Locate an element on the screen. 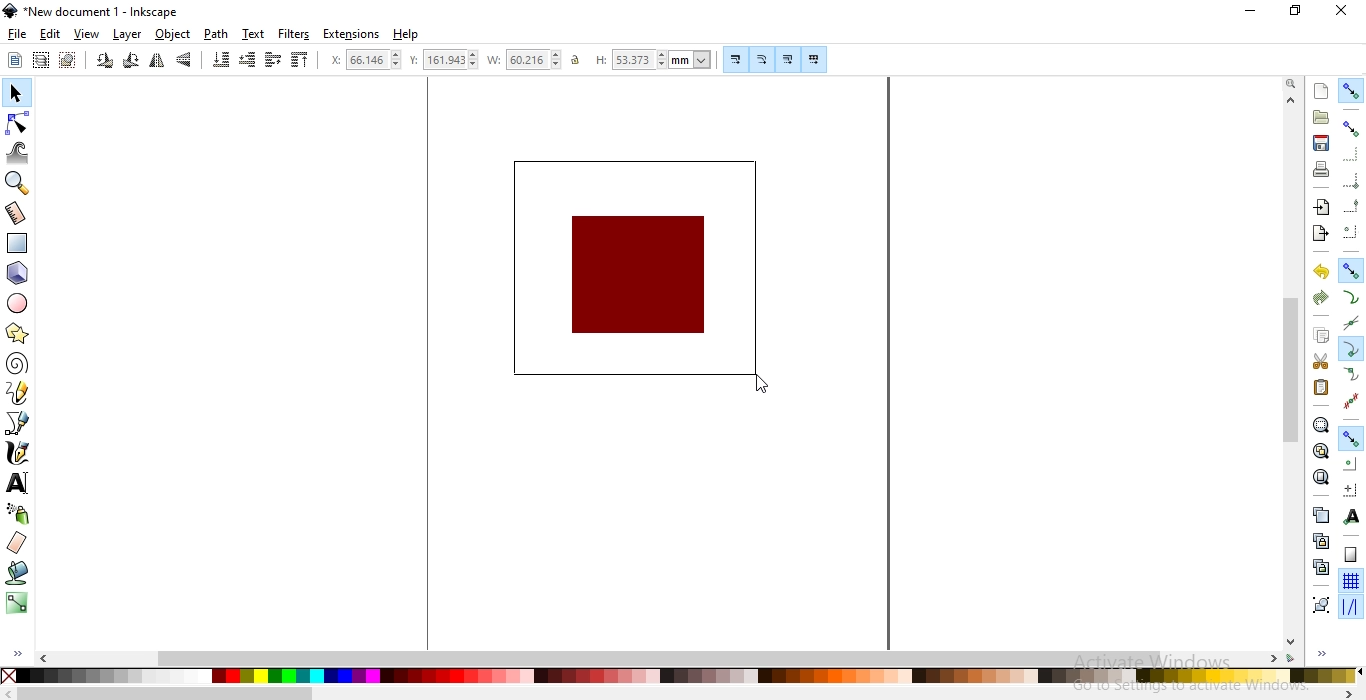  vertical coordinate of selection is located at coordinates (414, 60).